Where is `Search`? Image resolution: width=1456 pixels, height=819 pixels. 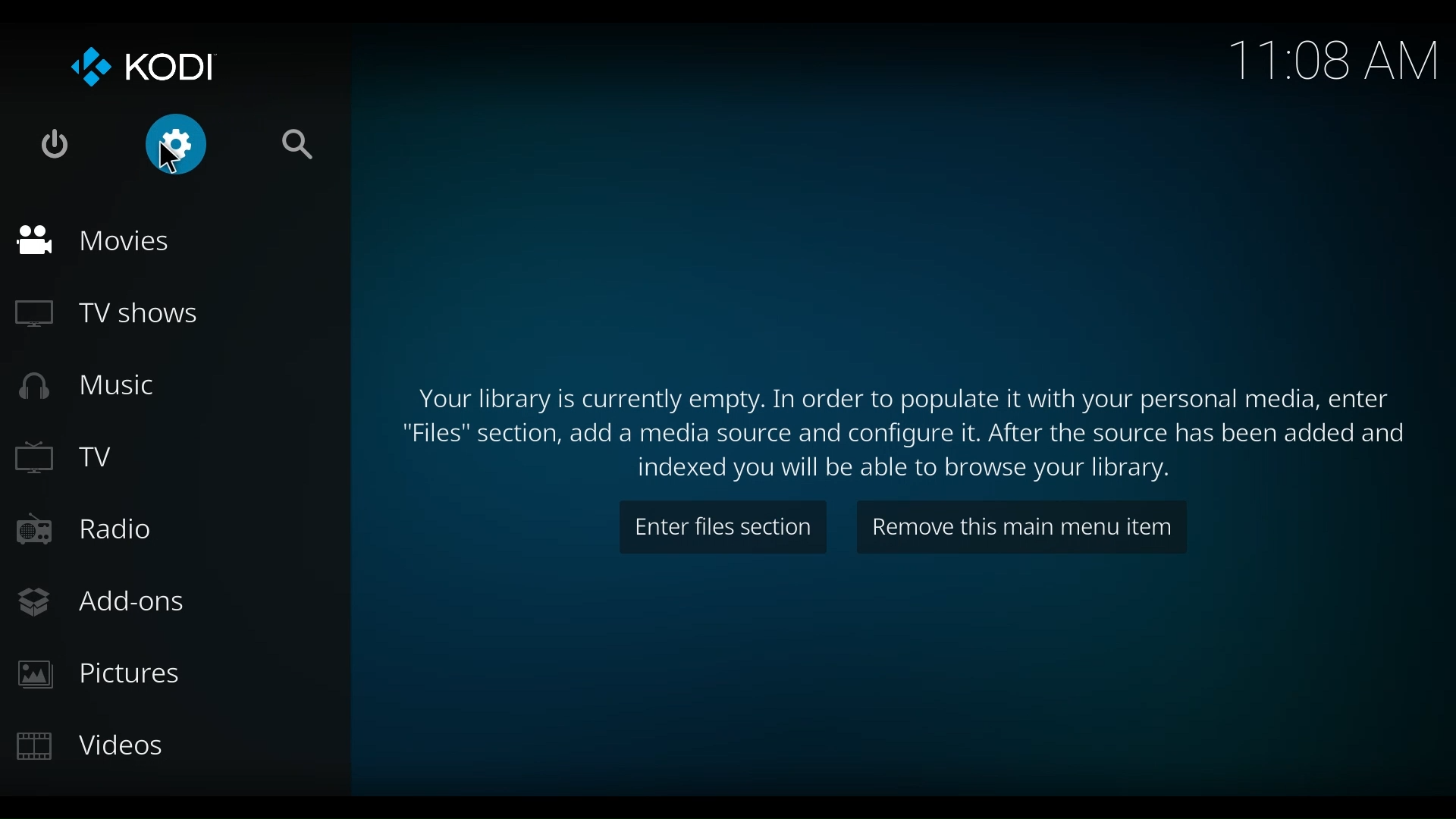
Search is located at coordinates (294, 146).